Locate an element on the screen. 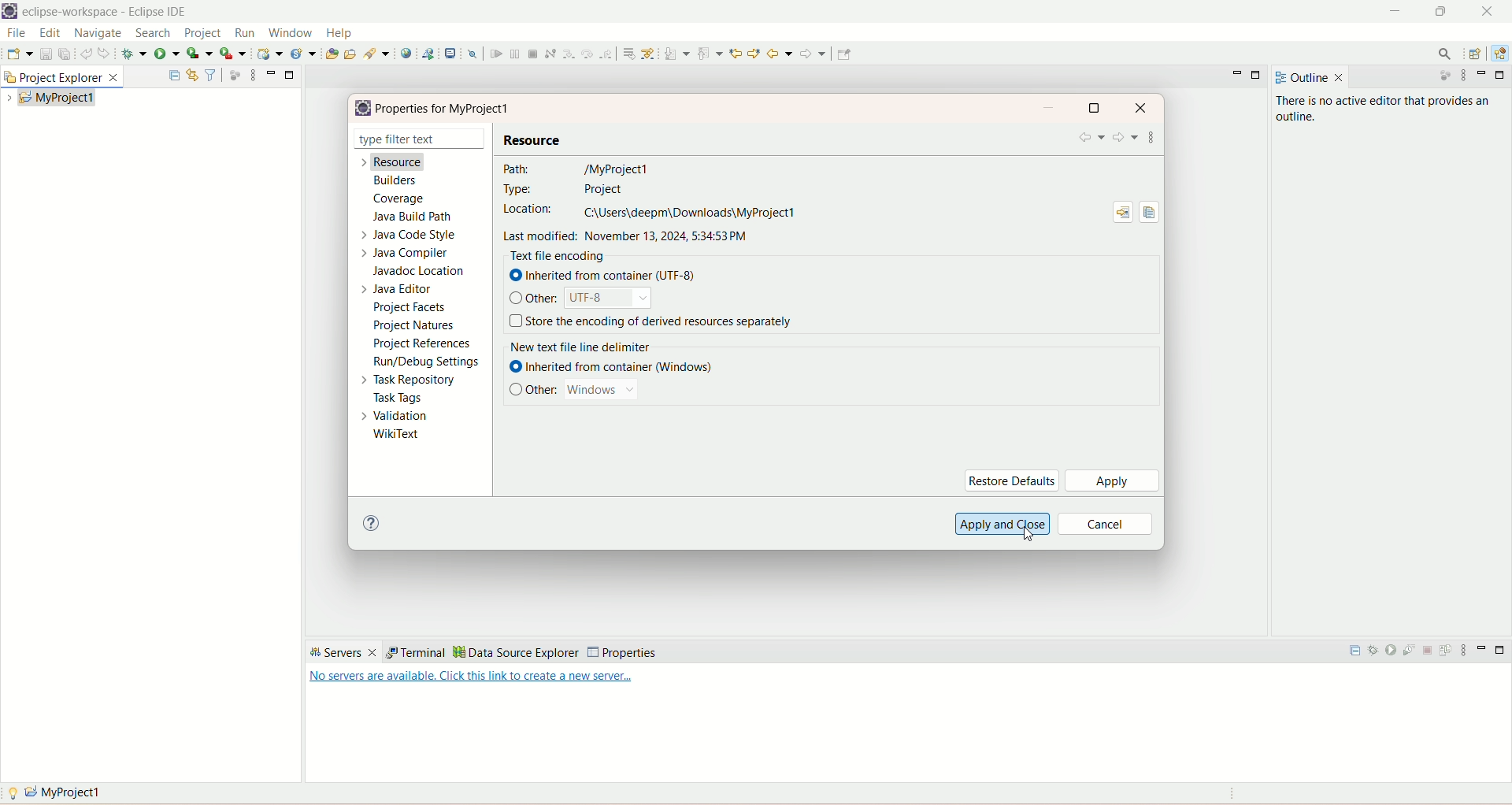 Image resolution: width=1512 pixels, height=805 pixels. help is located at coordinates (338, 33).